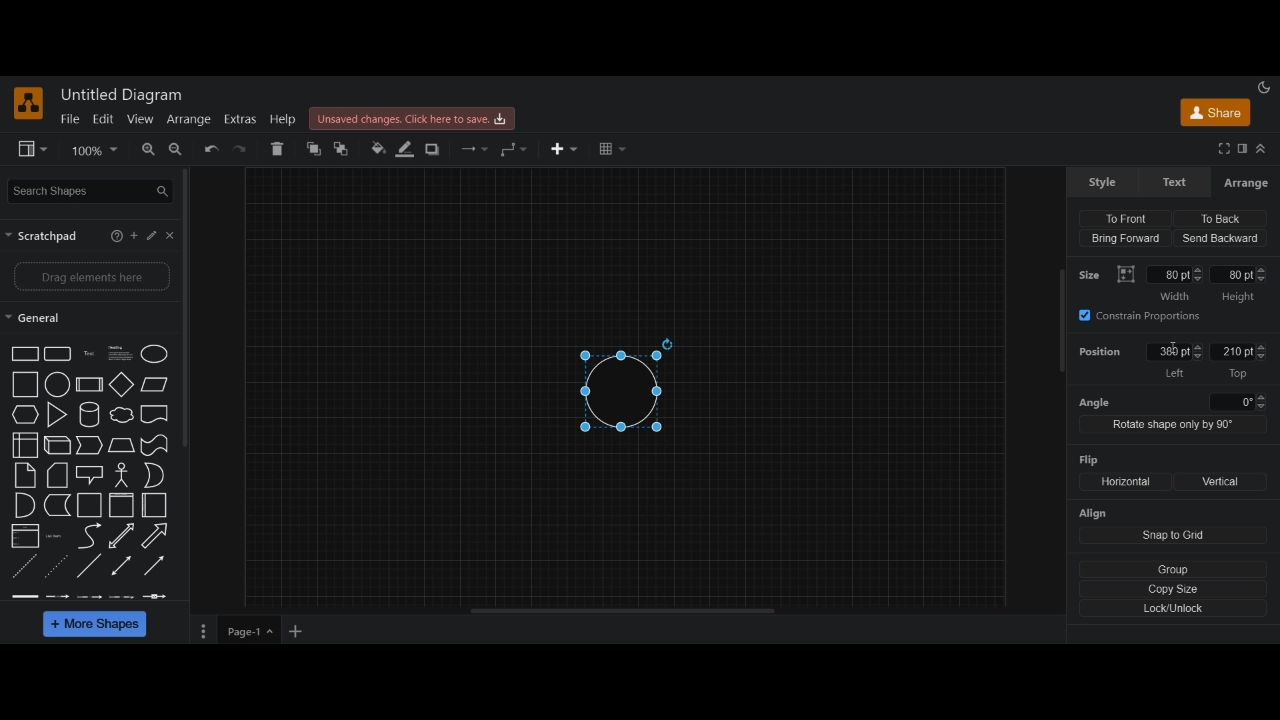 This screenshot has width=1280, height=720. What do you see at coordinates (91, 353) in the screenshot?
I see `task` at bounding box center [91, 353].